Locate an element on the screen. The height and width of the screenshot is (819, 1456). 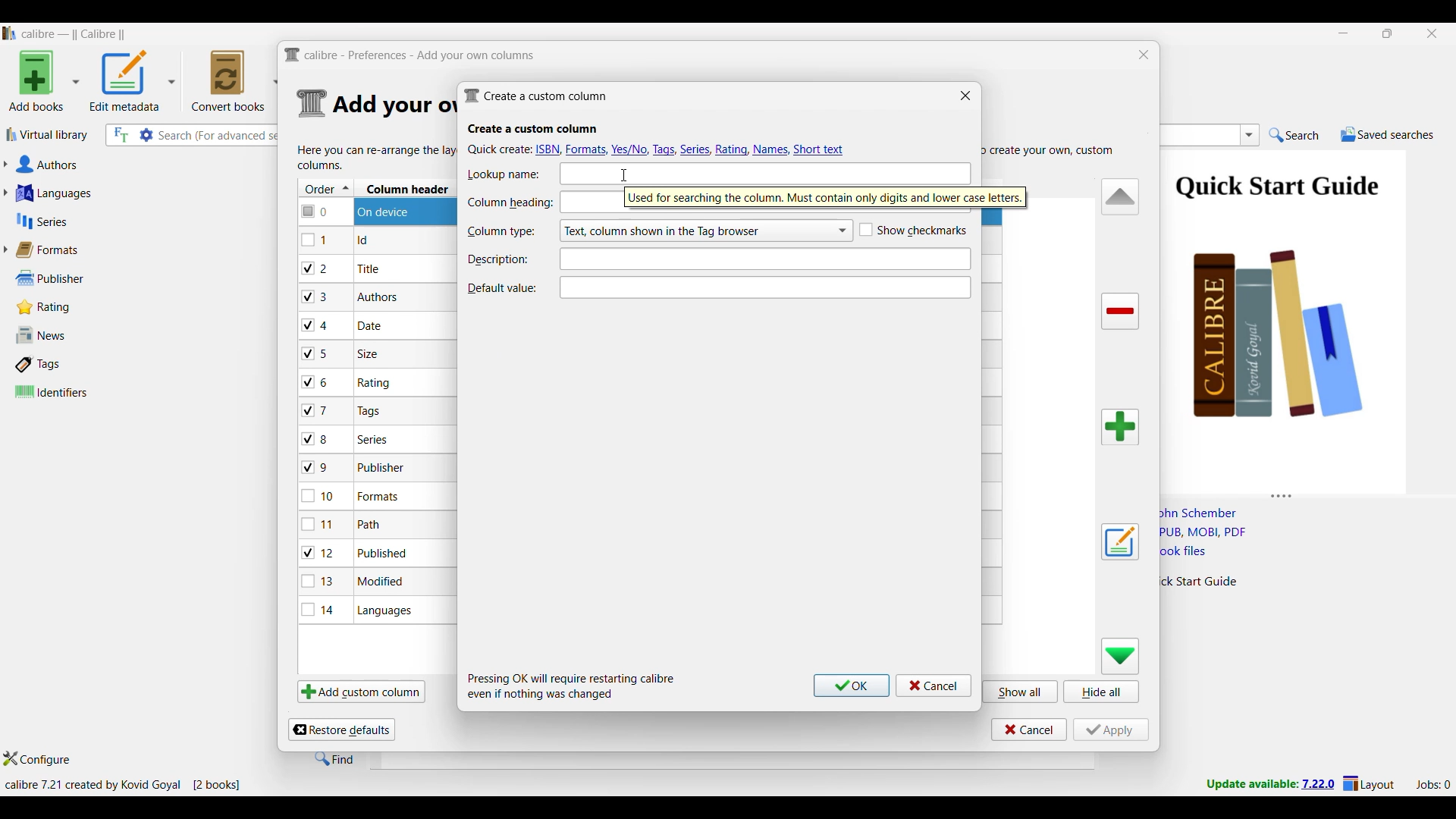
checkbox - 6 is located at coordinates (318, 383).